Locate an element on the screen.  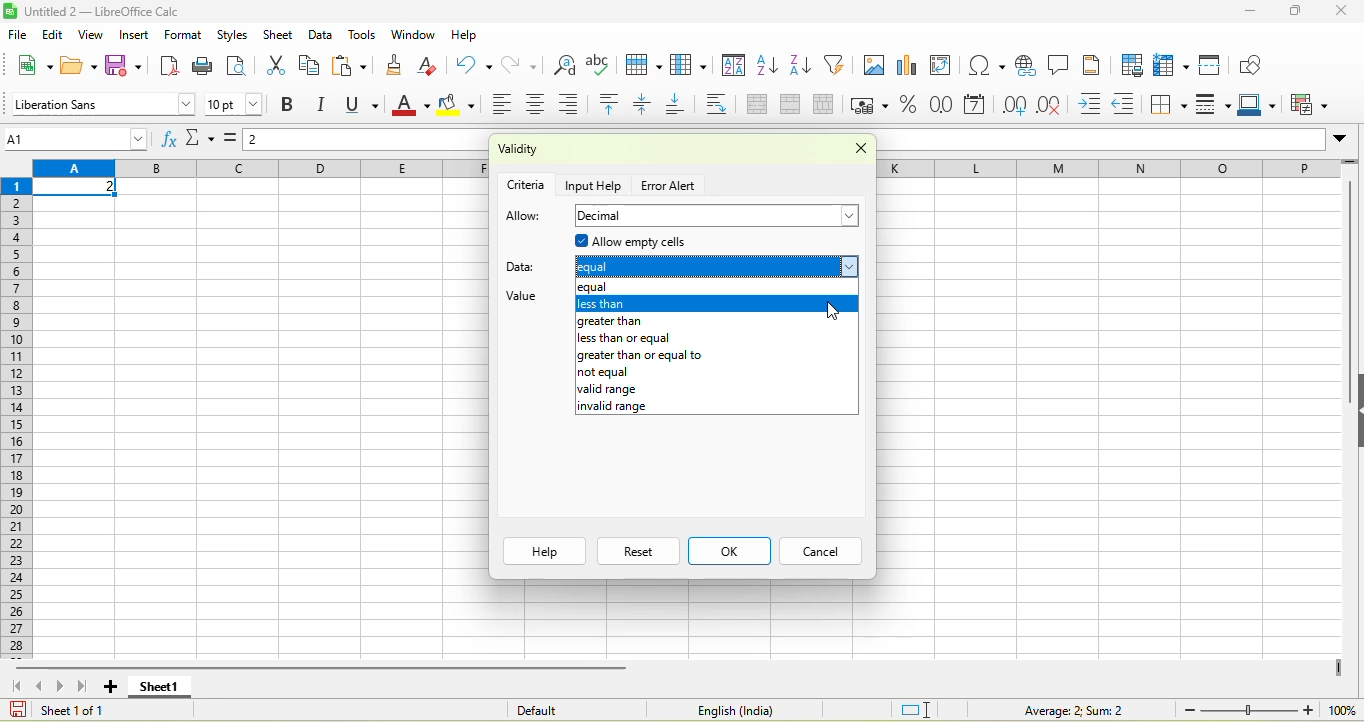
align right is located at coordinates (575, 104).